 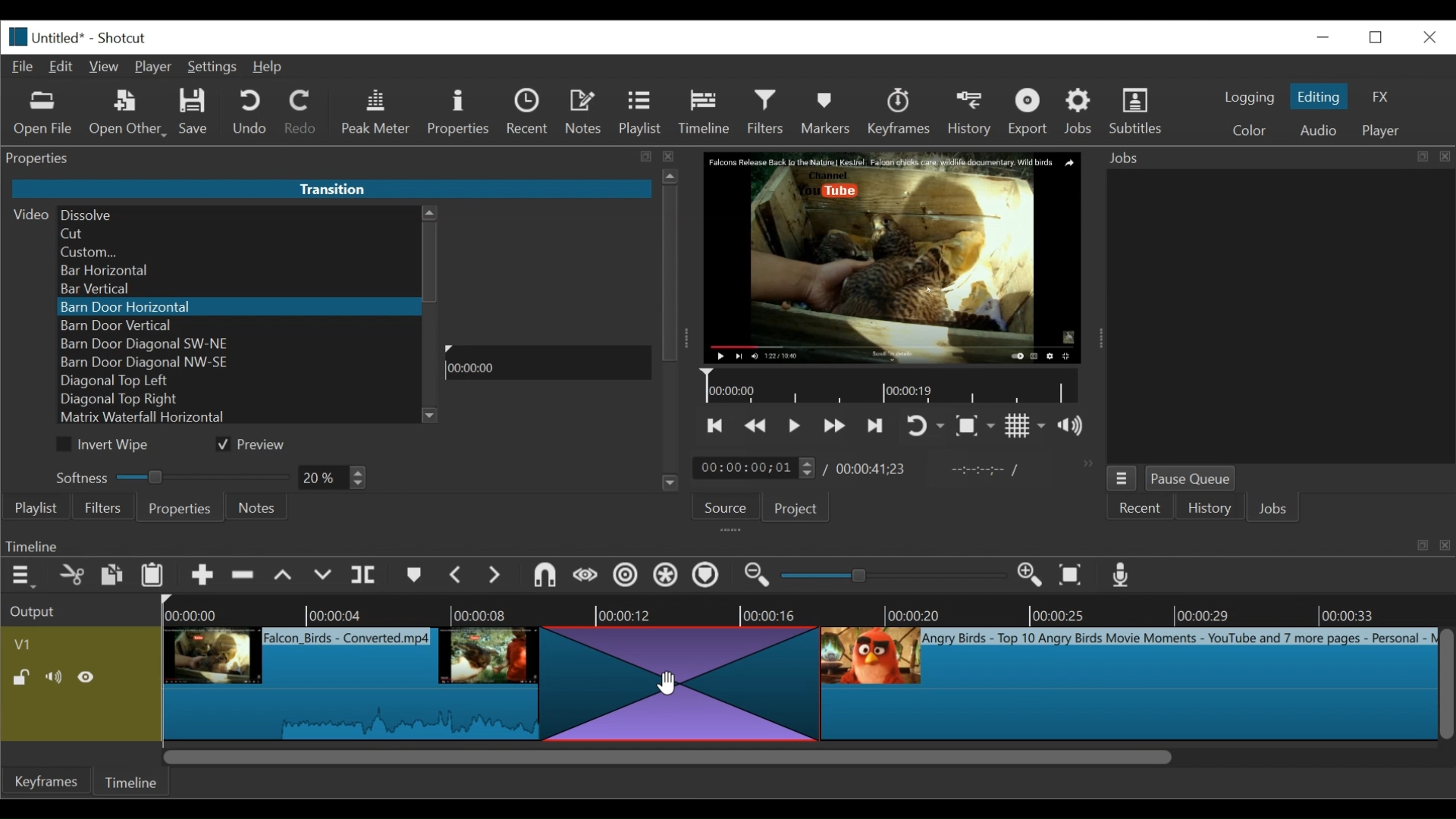 I want to click on Hide, so click(x=89, y=676).